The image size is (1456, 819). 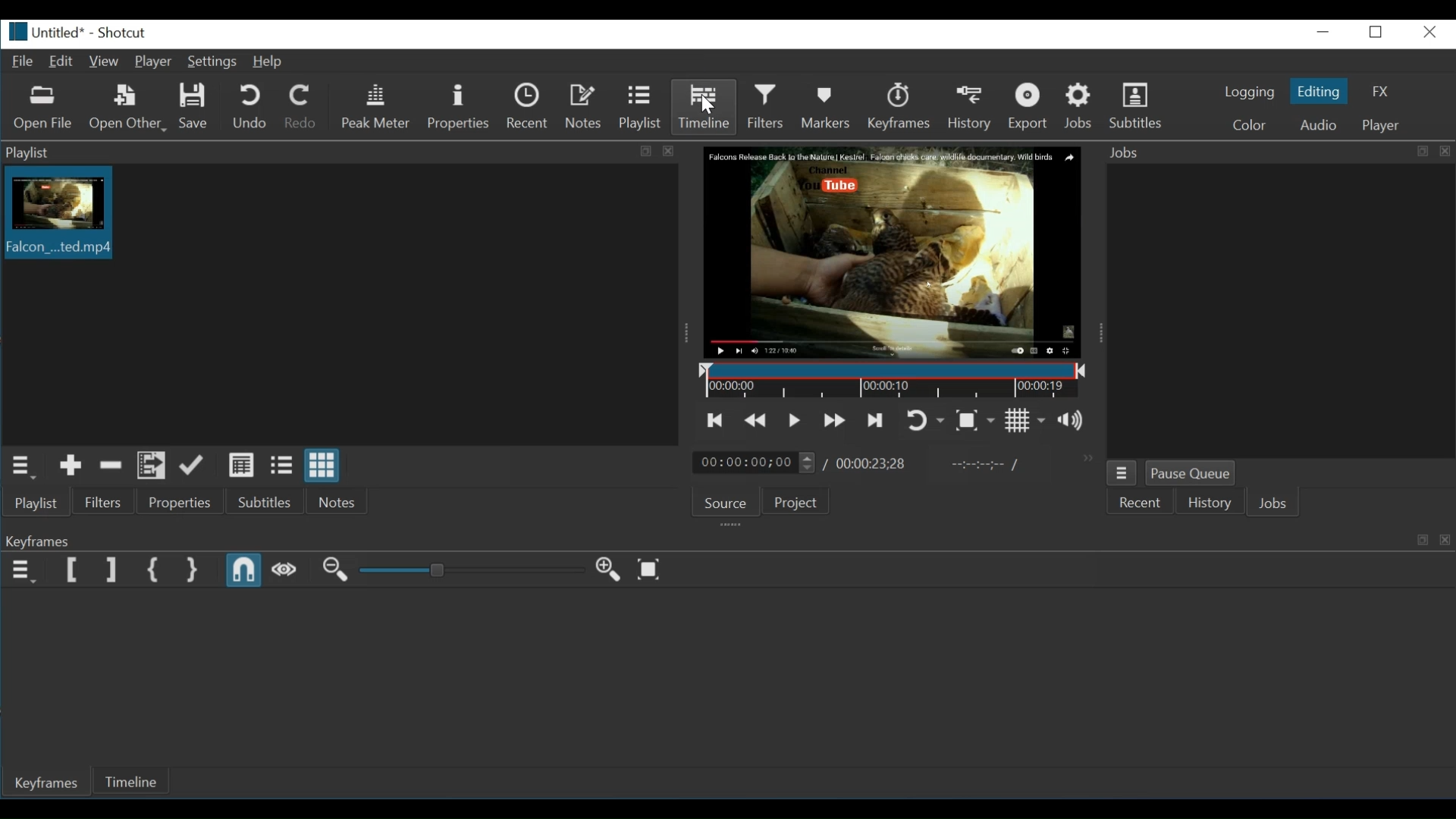 What do you see at coordinates (338, 500) in the screenshot?
I see `Notes` at bounding box center [338, 500].